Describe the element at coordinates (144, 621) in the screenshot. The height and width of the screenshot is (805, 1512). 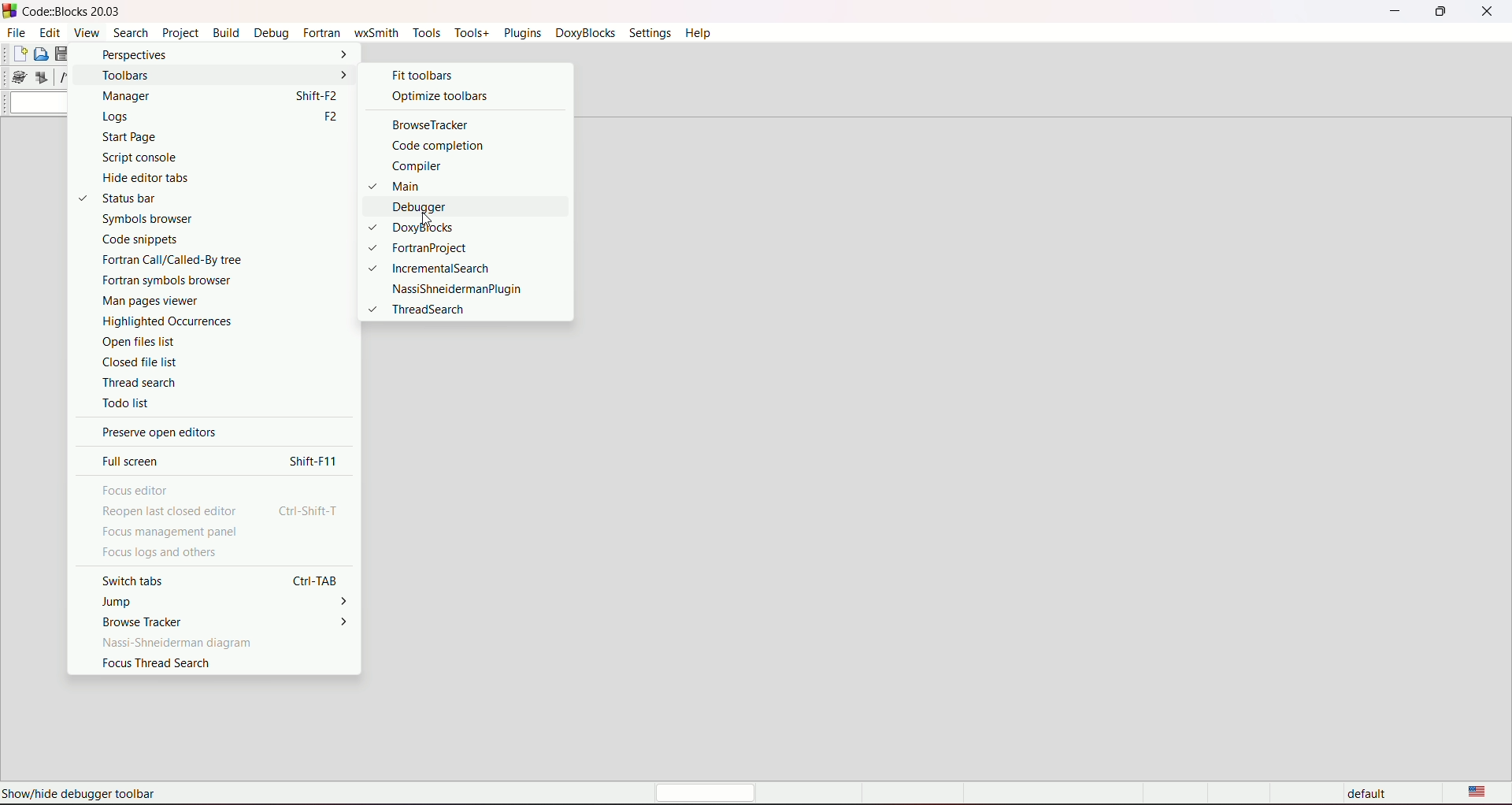
I see `browse tracker` at that location.